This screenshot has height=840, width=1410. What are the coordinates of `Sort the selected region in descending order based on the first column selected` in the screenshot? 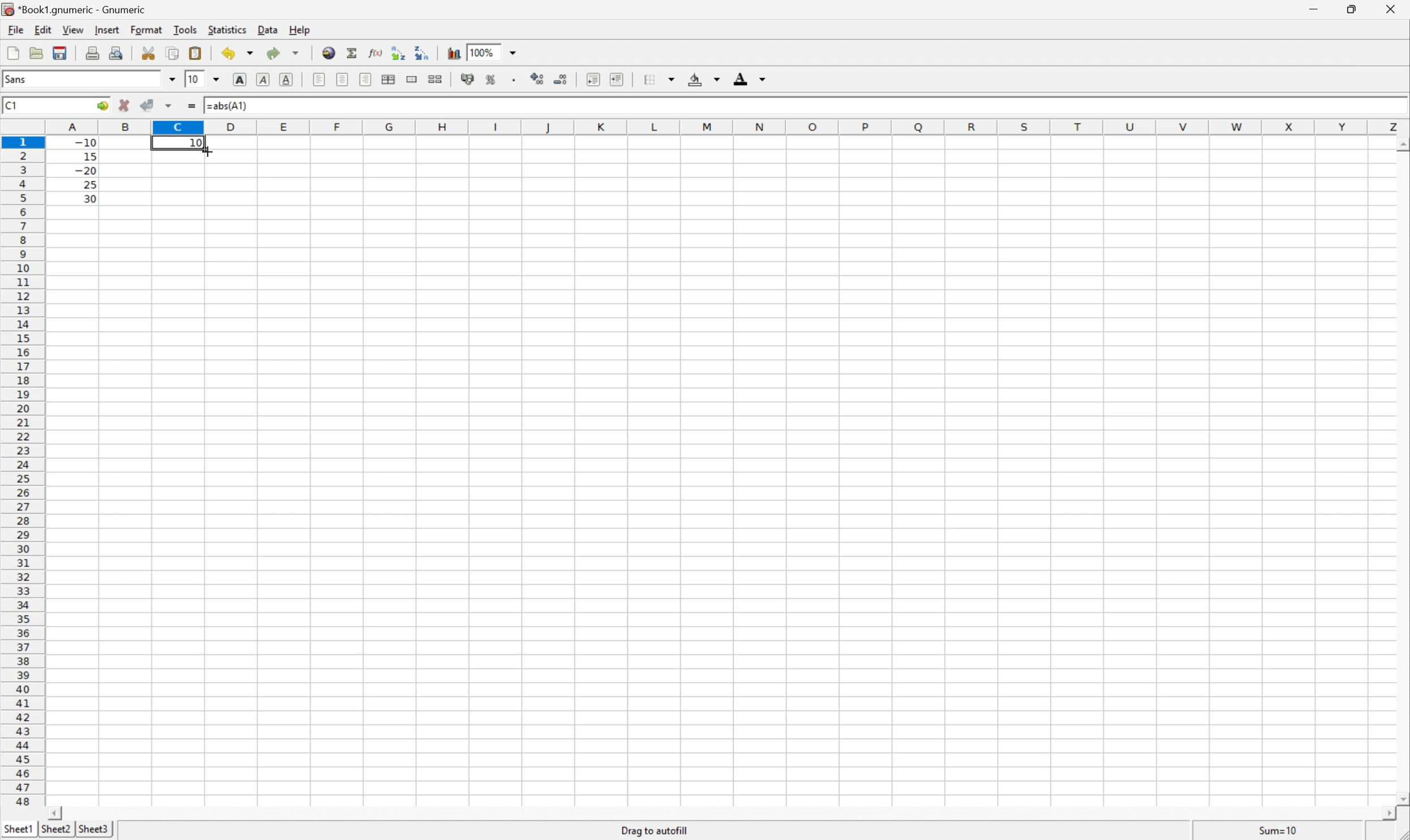 It's located at (421, 52).